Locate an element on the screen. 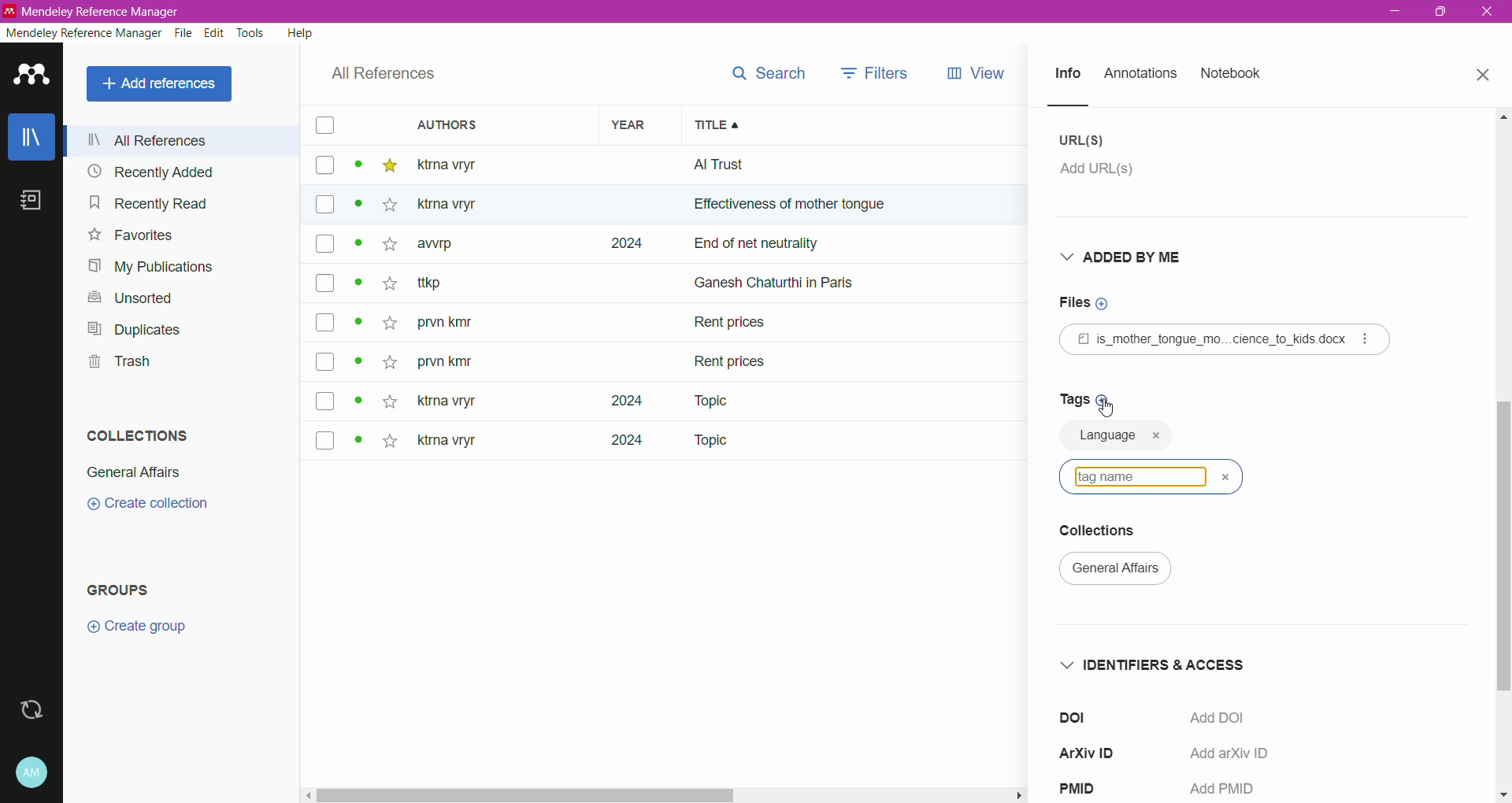 This screenshot has width=1512, height=803. dot  is located at coordinates (358, 248).